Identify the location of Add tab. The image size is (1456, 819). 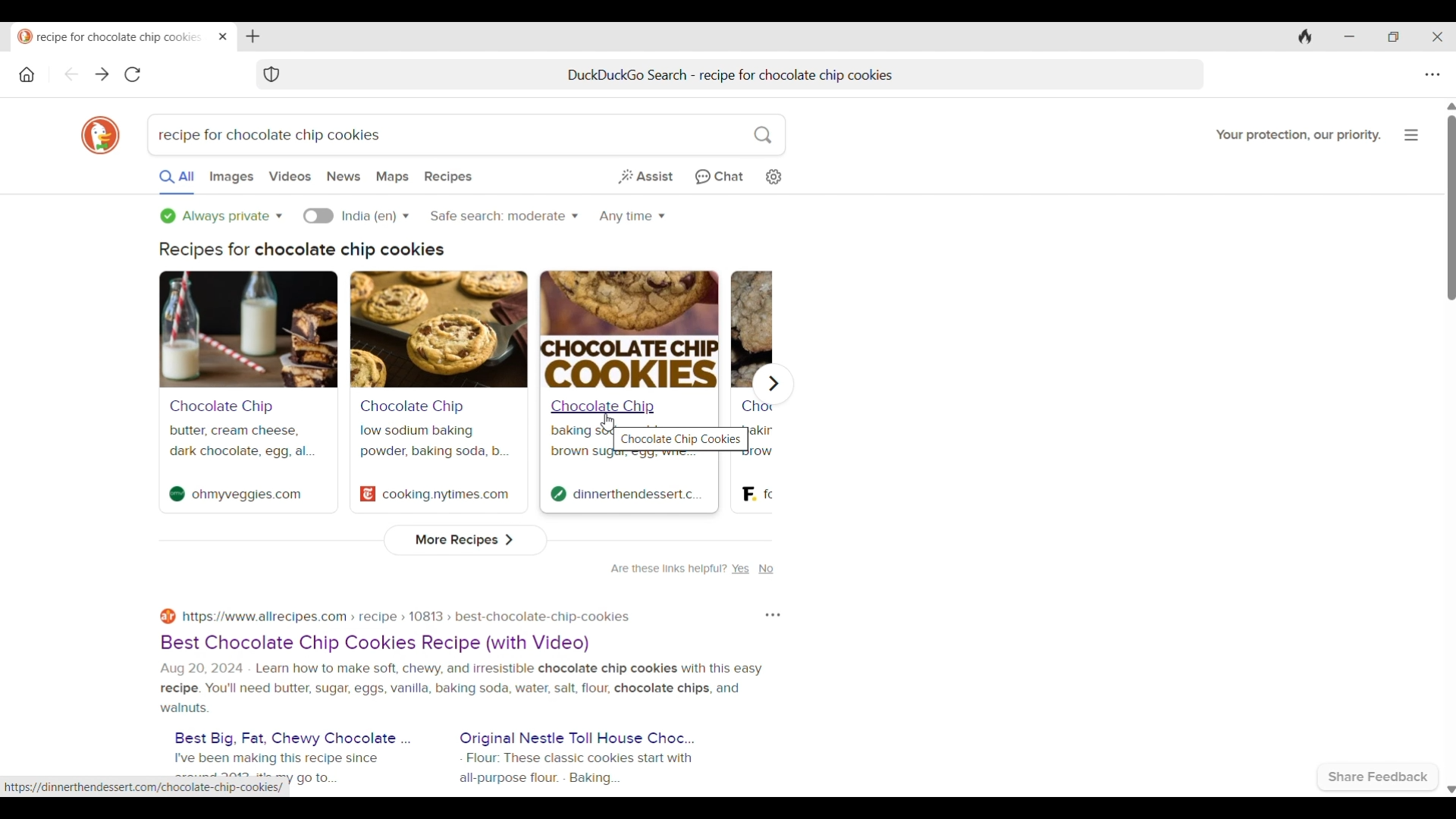
(253, 37).